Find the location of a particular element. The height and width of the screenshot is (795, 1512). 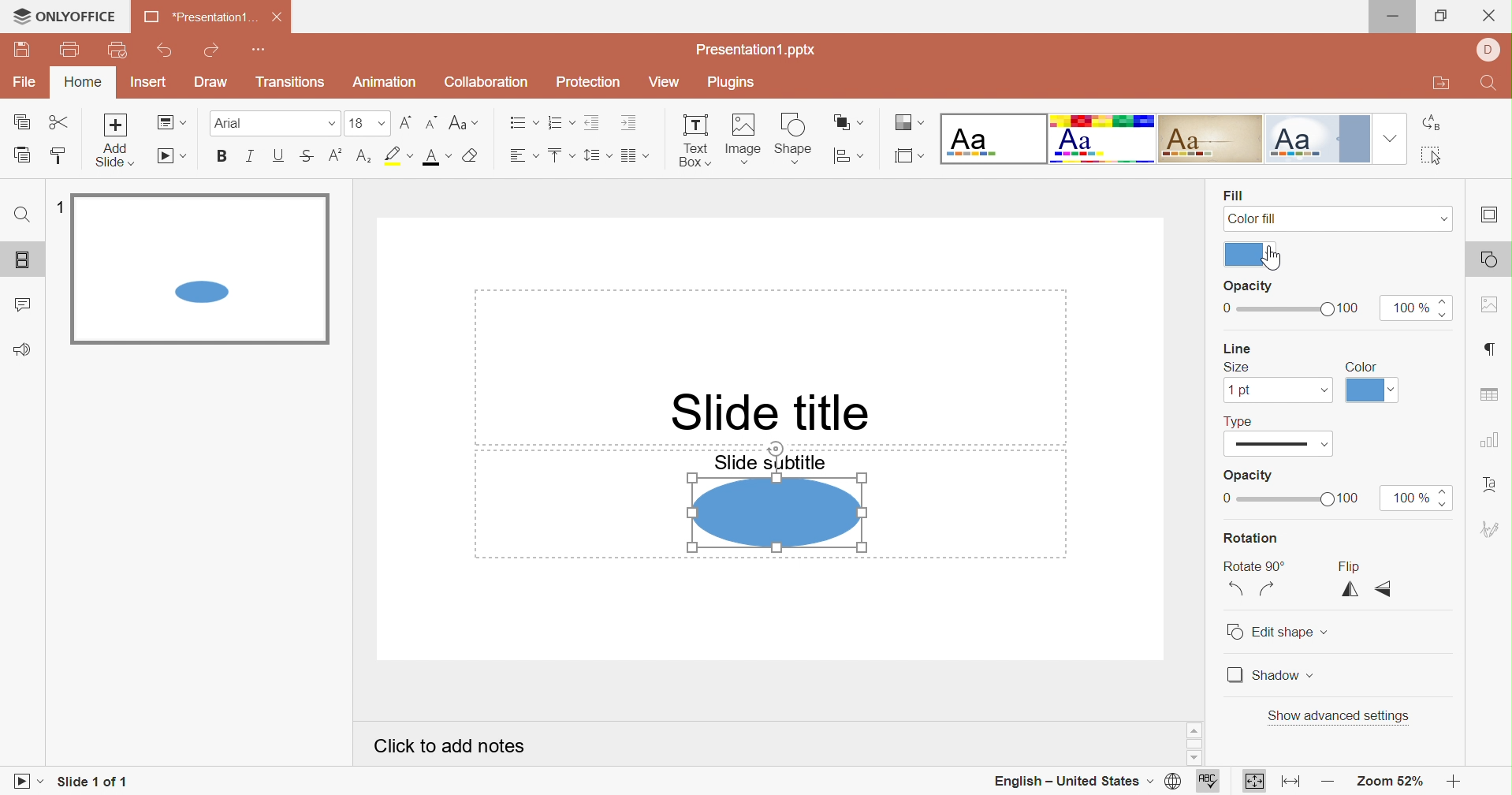

Find is located at coordinates (20, 214).